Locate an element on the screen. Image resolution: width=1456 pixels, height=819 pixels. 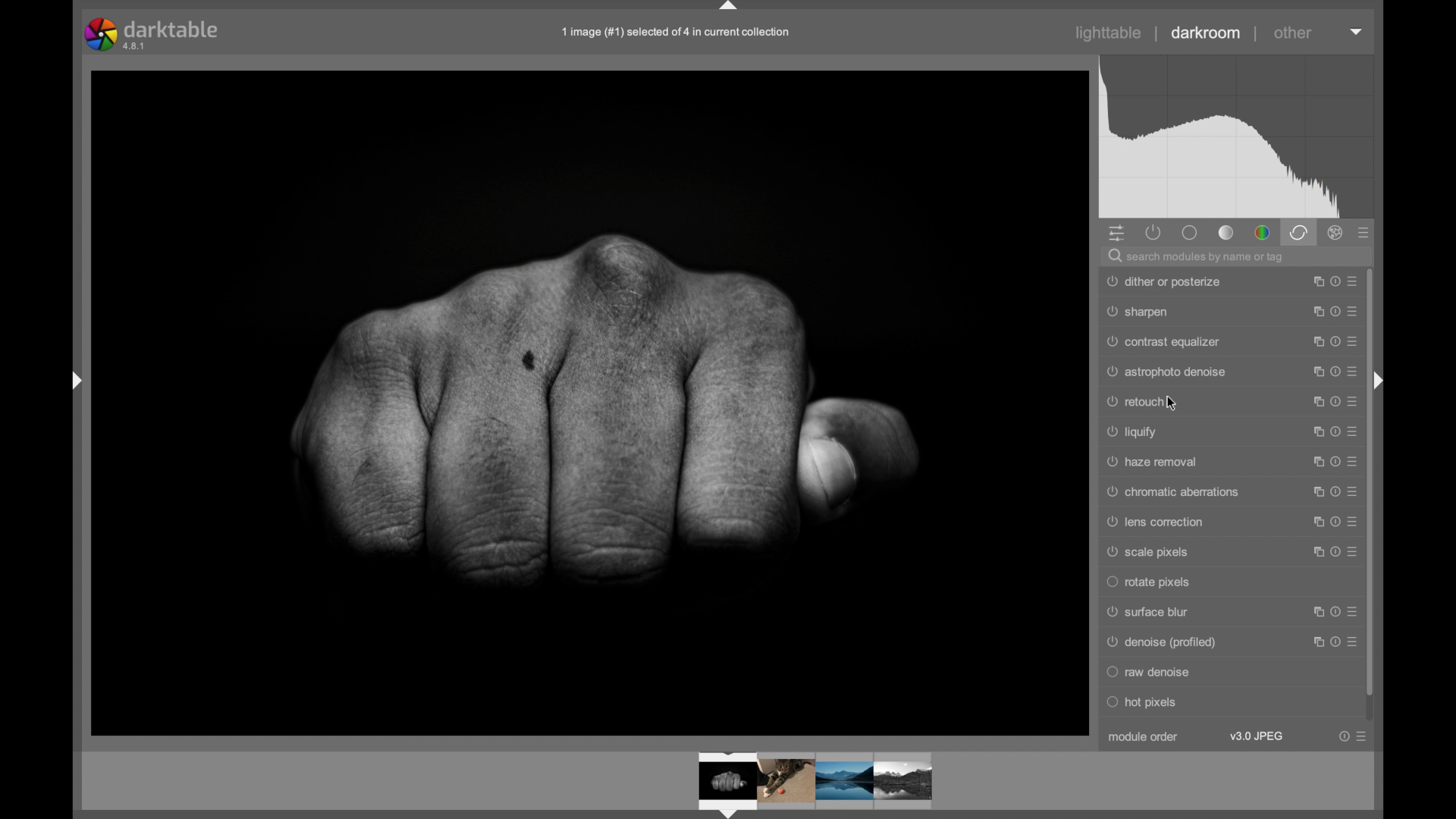
search modules by name or tag is located at coordinates (1197, 258).